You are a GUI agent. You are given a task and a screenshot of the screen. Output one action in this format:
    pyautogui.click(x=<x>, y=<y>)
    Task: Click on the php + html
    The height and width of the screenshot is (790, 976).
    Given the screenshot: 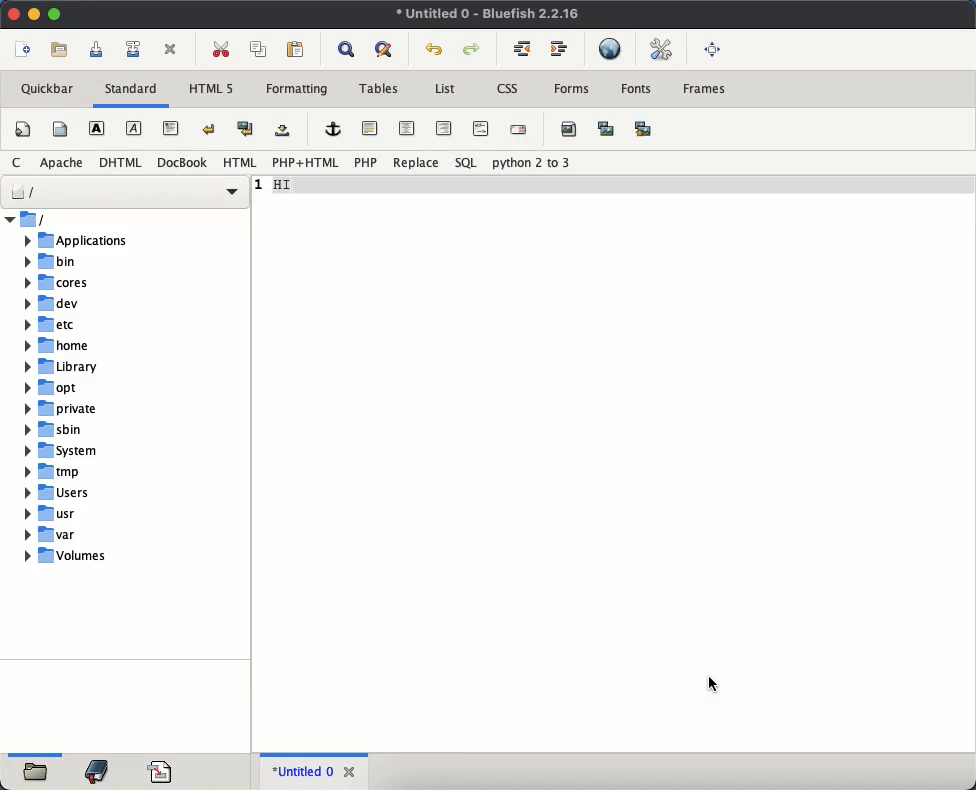 What is the action you would take?
    pyautogui.click(x=306, y=163)
    